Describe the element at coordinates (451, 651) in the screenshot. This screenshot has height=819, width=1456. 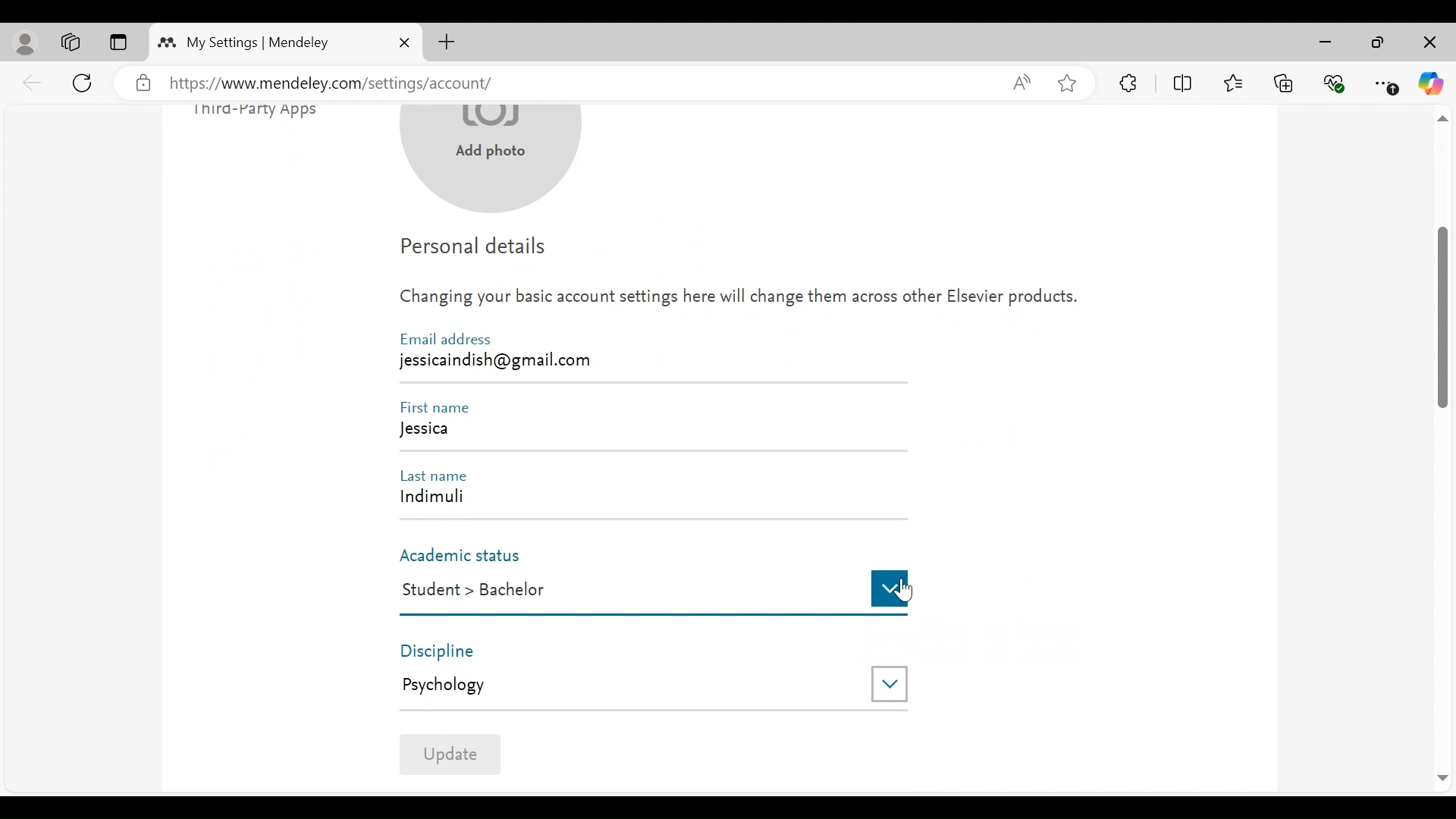
I see `Discipline` at that location.